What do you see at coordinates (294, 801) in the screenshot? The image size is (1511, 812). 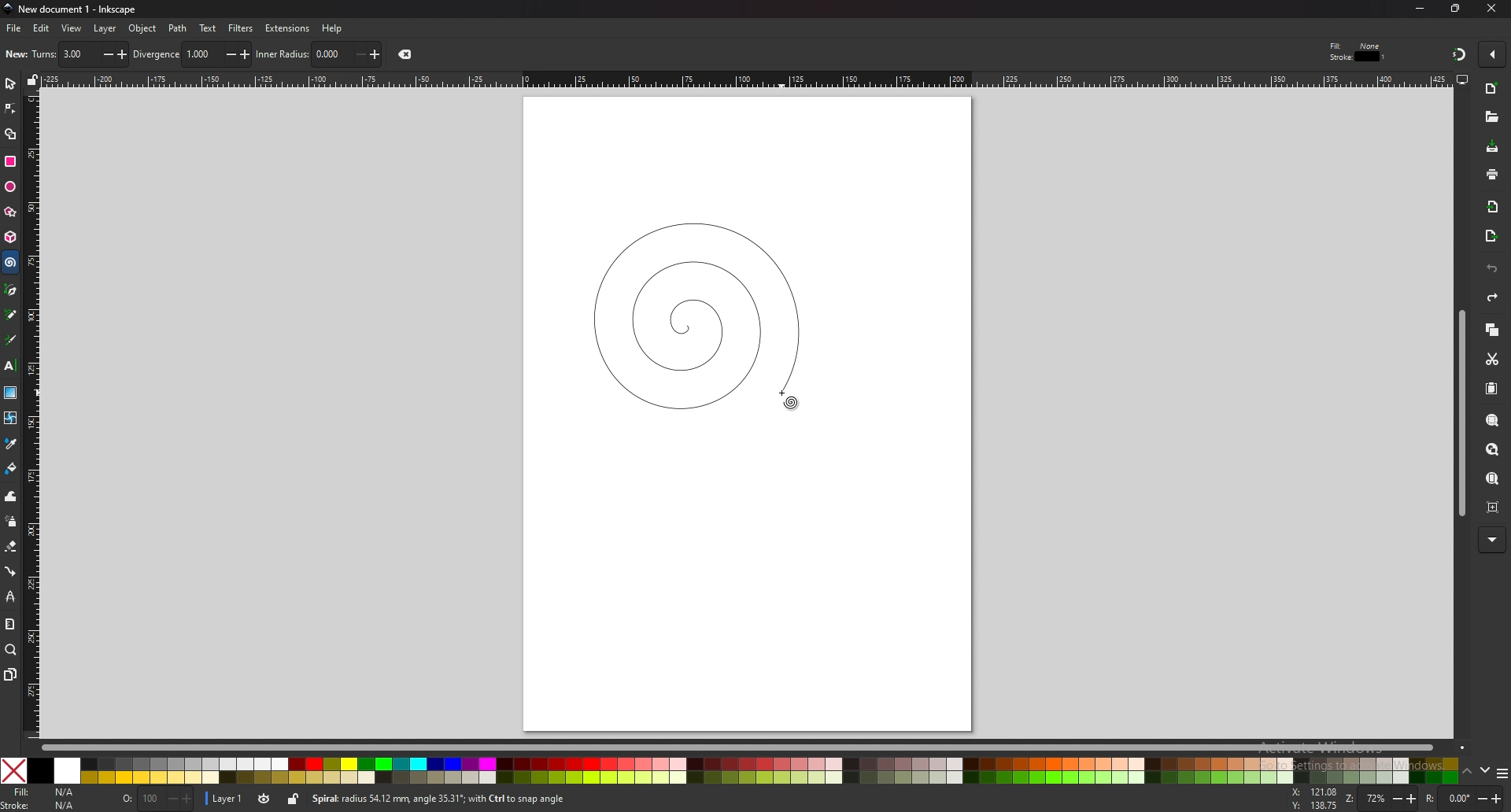 I see `lock` at bounding box center [294, 801].